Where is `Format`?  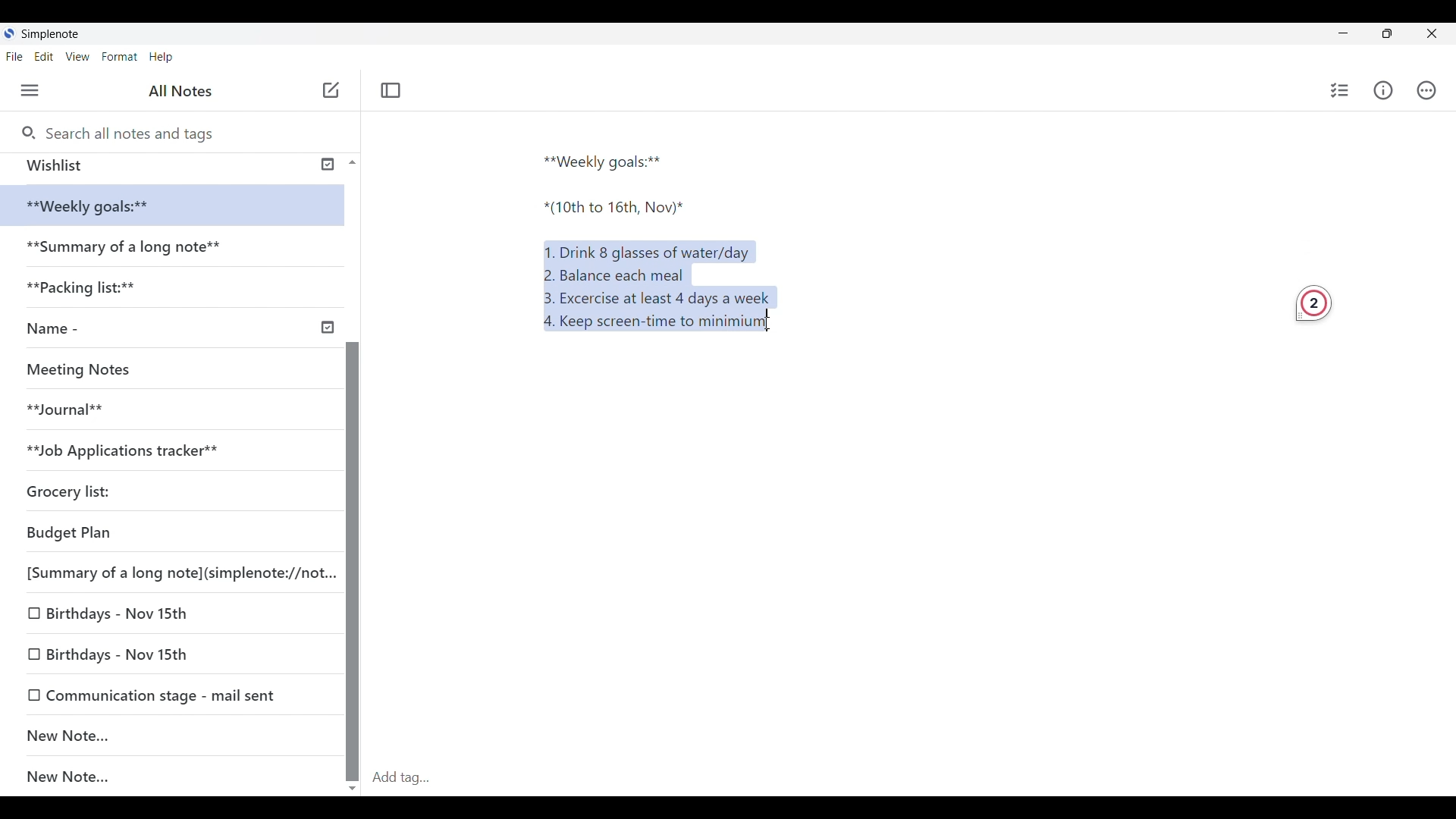 Format is located at coordinates (120, 56).